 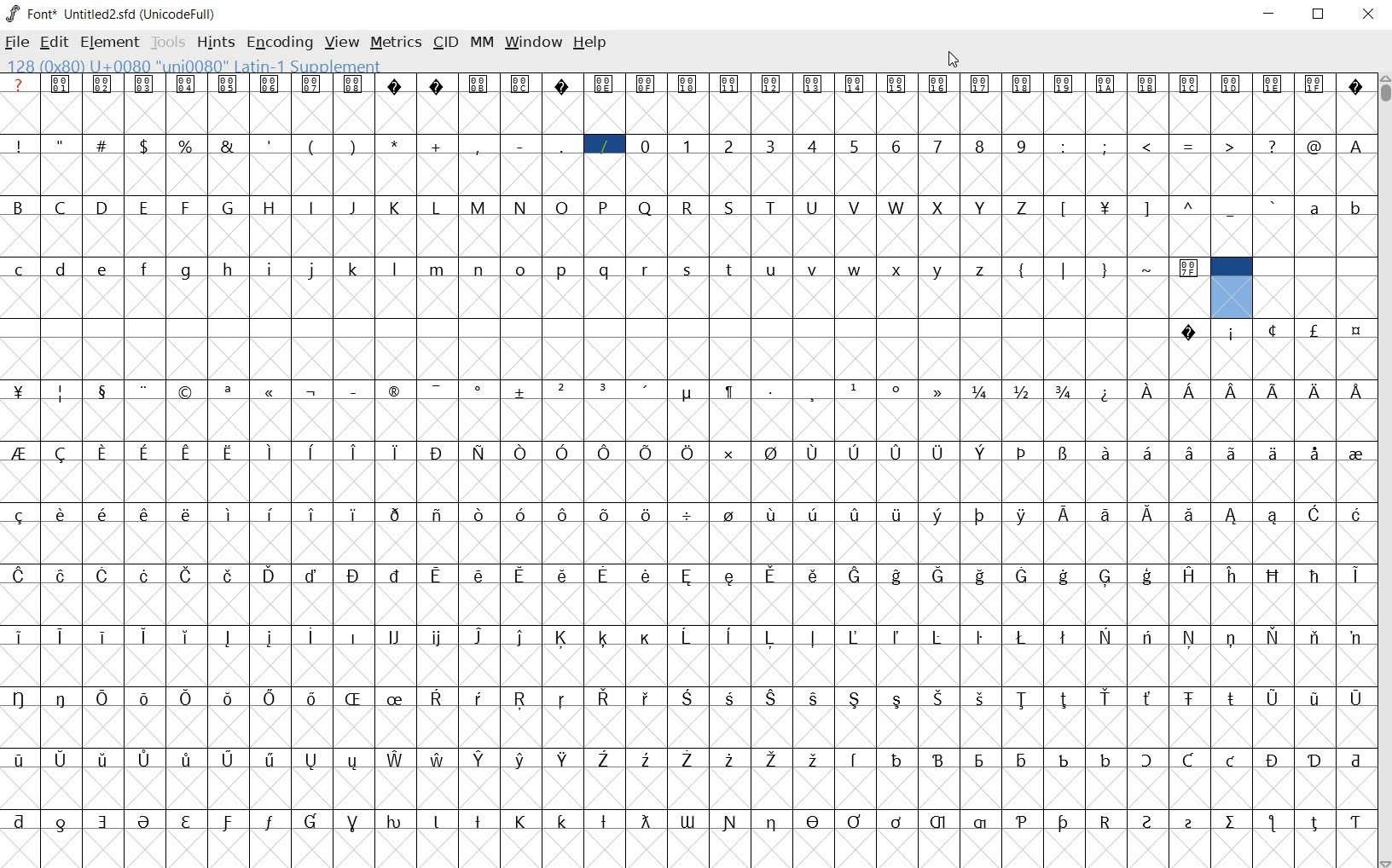 I want to click on 9, so click(x=1024, y=145).